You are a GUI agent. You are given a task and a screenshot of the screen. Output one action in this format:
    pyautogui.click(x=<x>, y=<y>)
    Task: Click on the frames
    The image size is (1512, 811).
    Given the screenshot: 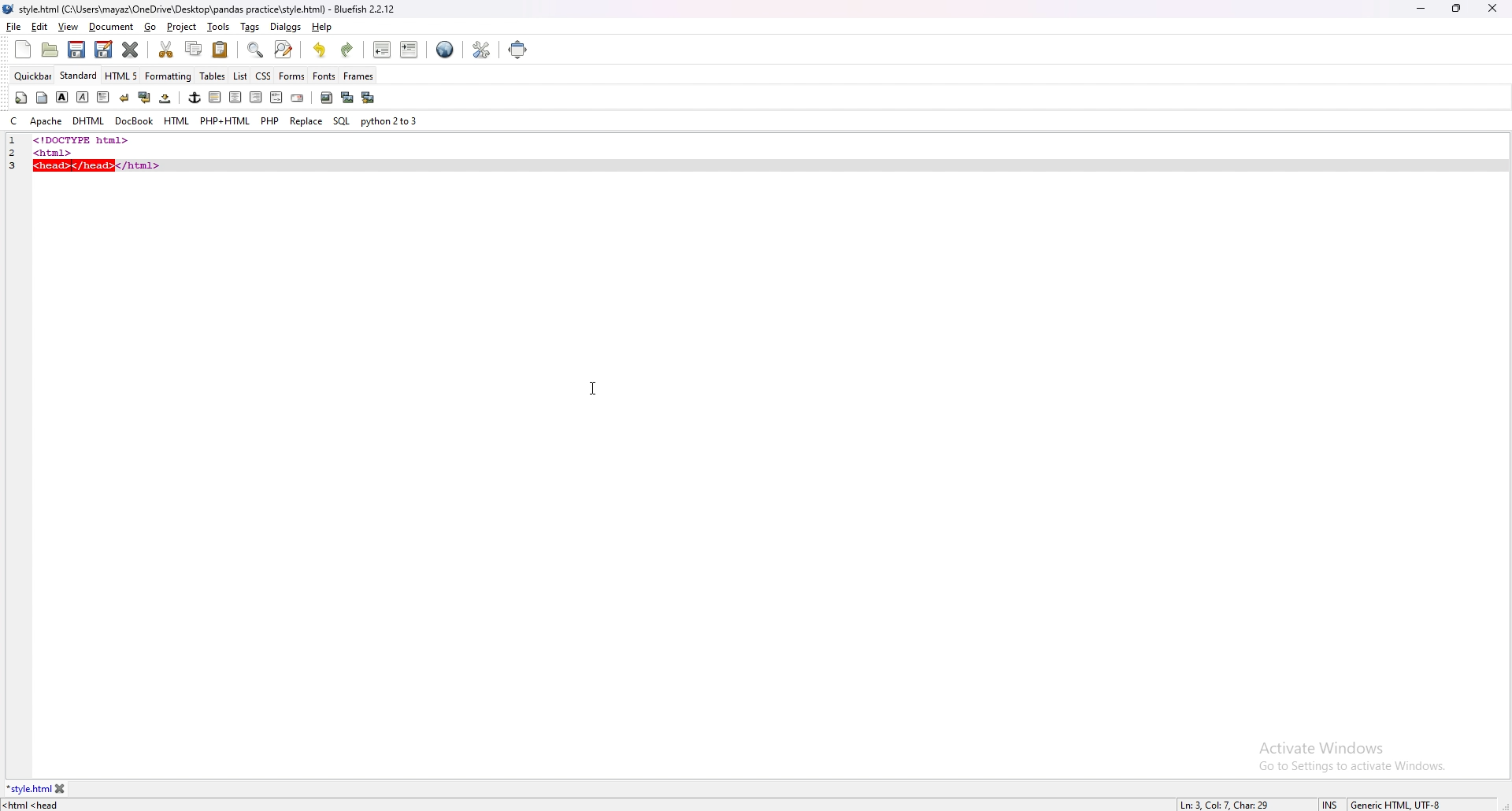 What is the action you would take?
    pyautogui.click(x=358, y=76)
    